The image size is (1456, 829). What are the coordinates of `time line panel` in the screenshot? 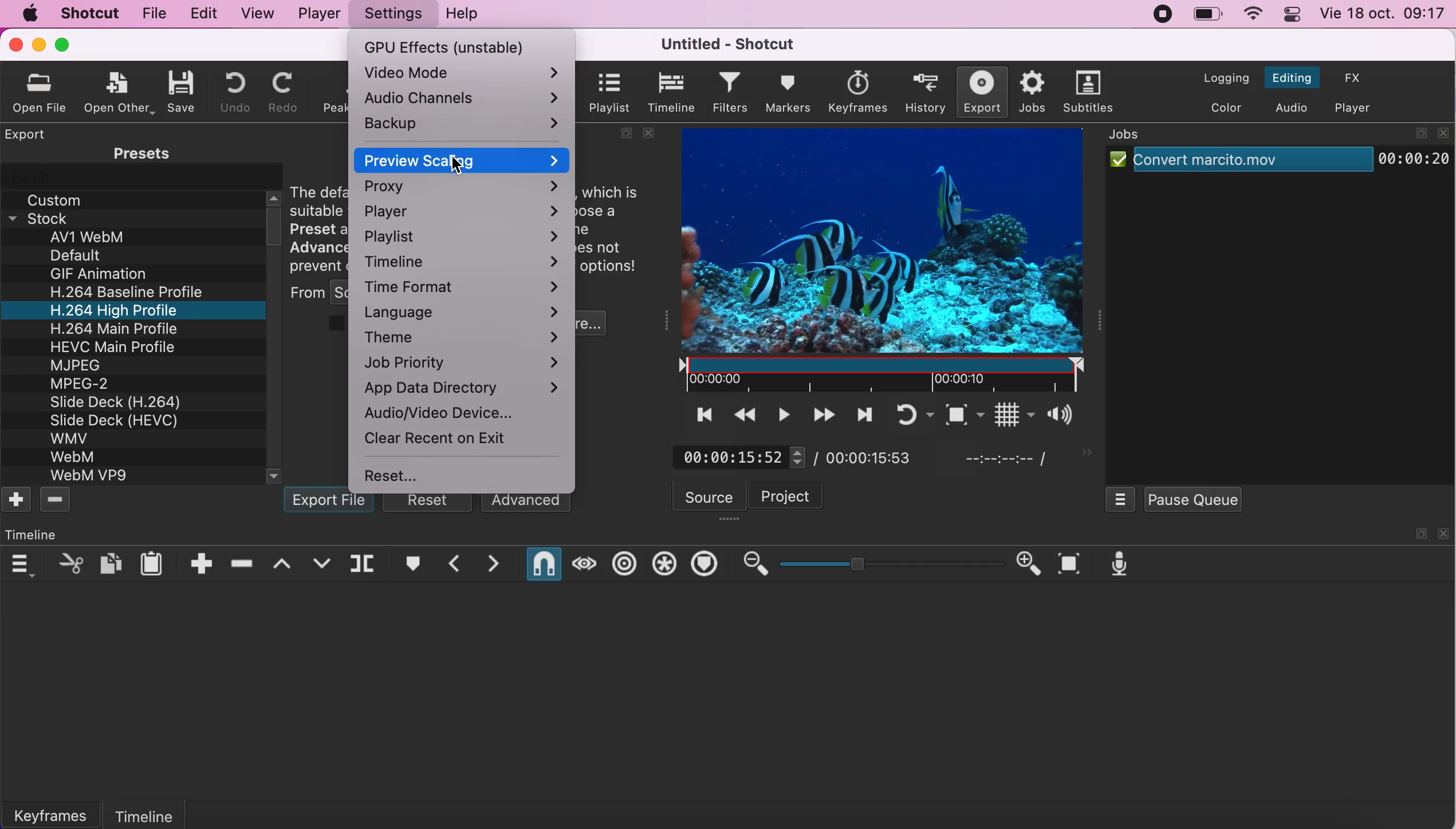 It's located at (34, 534).